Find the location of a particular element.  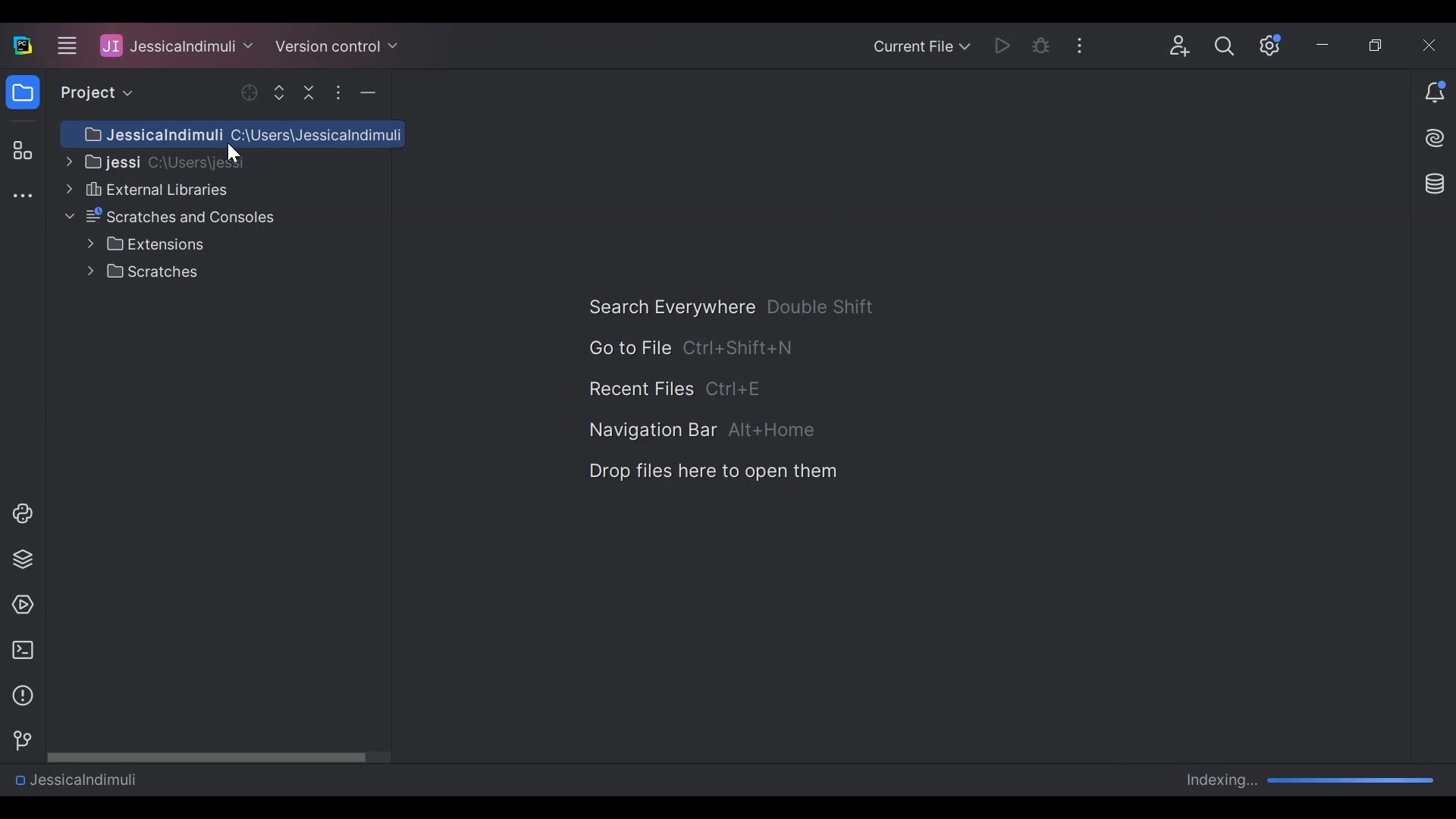

Options is located at coordinates (337, 93).